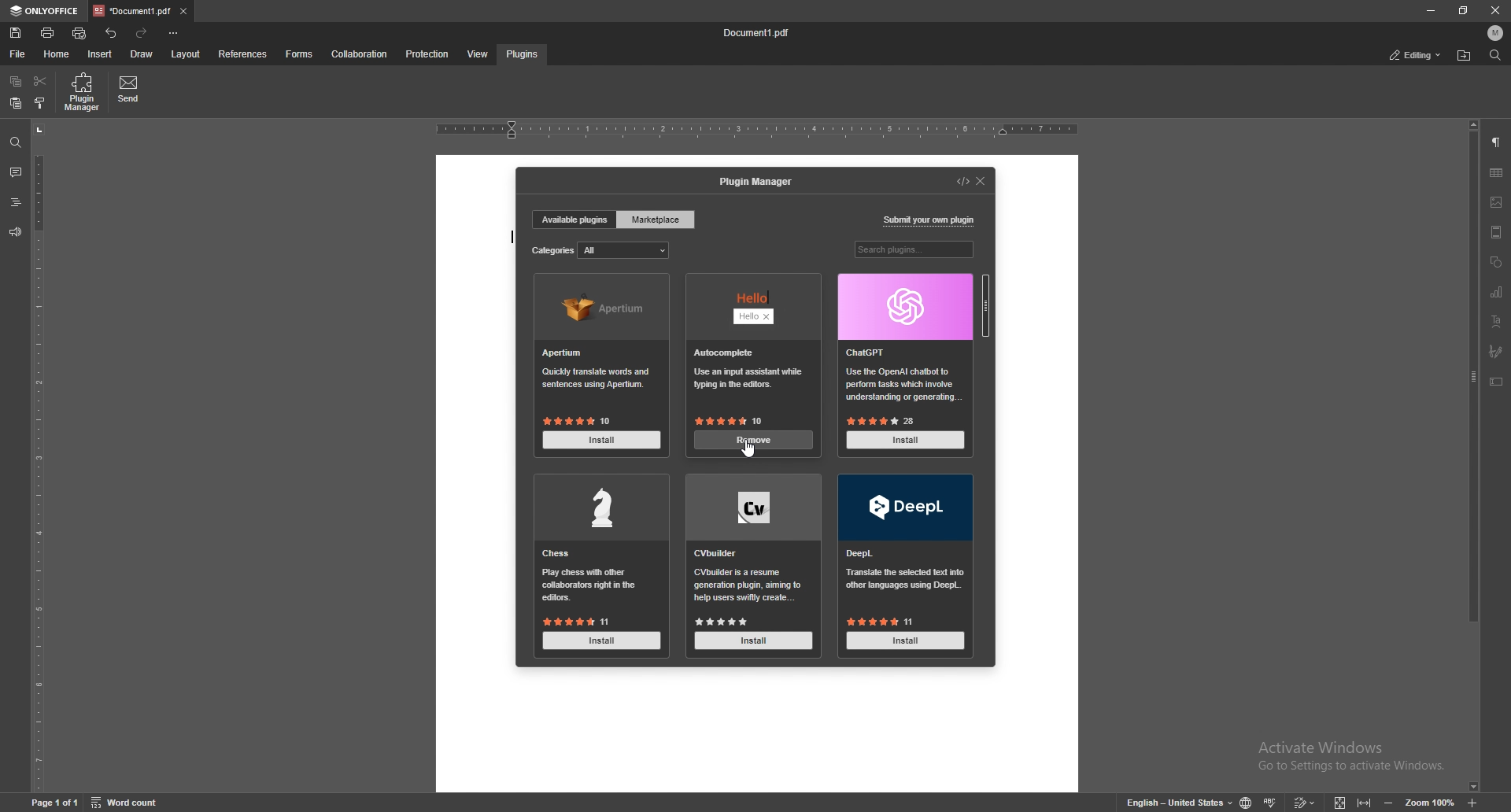 This screenshot has height=812, width=1511. What do you see at coordinates (602, 351) in the screenshot?
I see `apertium` at bounding box center [602, 351].